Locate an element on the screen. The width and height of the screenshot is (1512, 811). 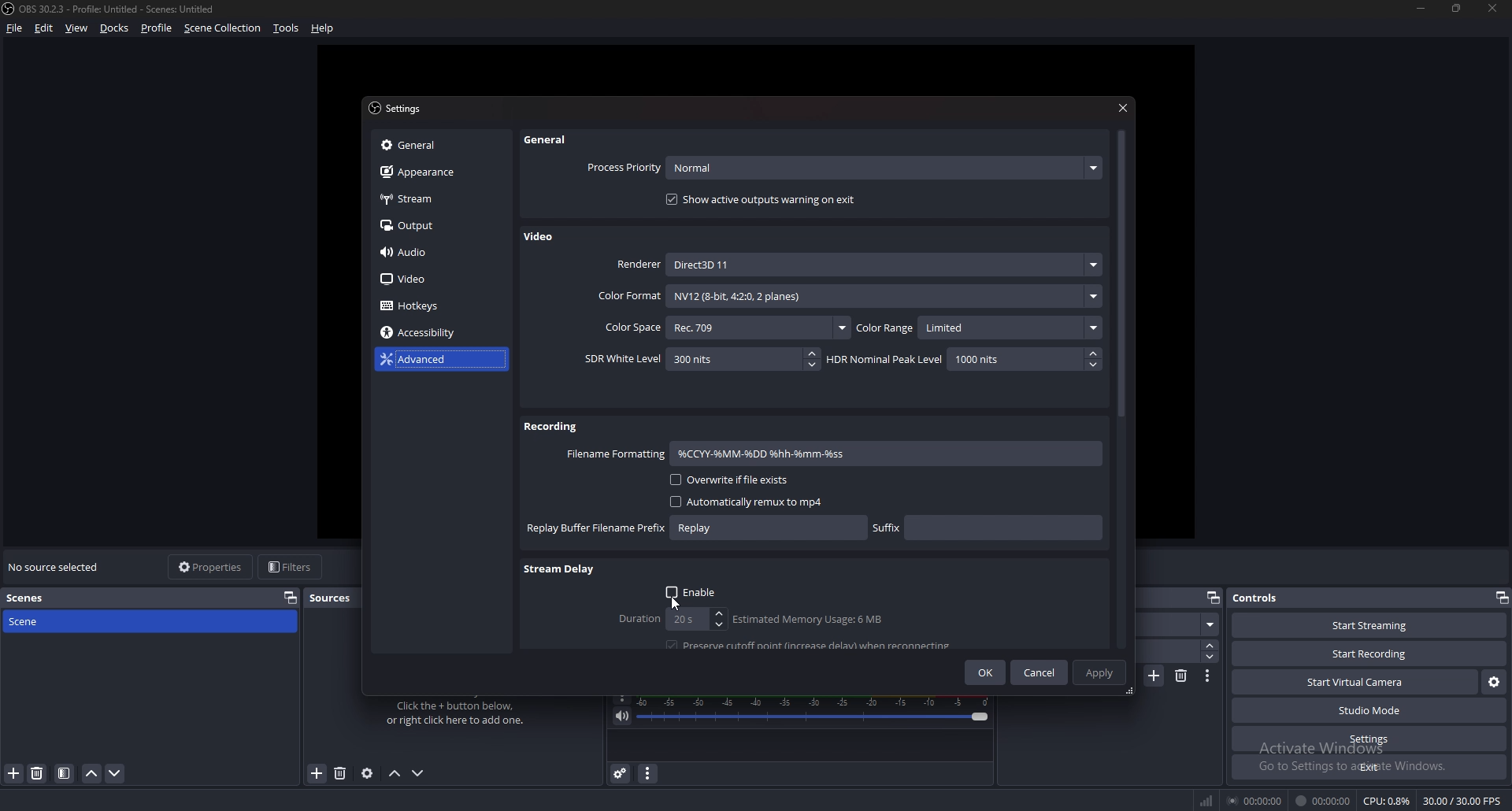
view is located at coordinates (76, 28).